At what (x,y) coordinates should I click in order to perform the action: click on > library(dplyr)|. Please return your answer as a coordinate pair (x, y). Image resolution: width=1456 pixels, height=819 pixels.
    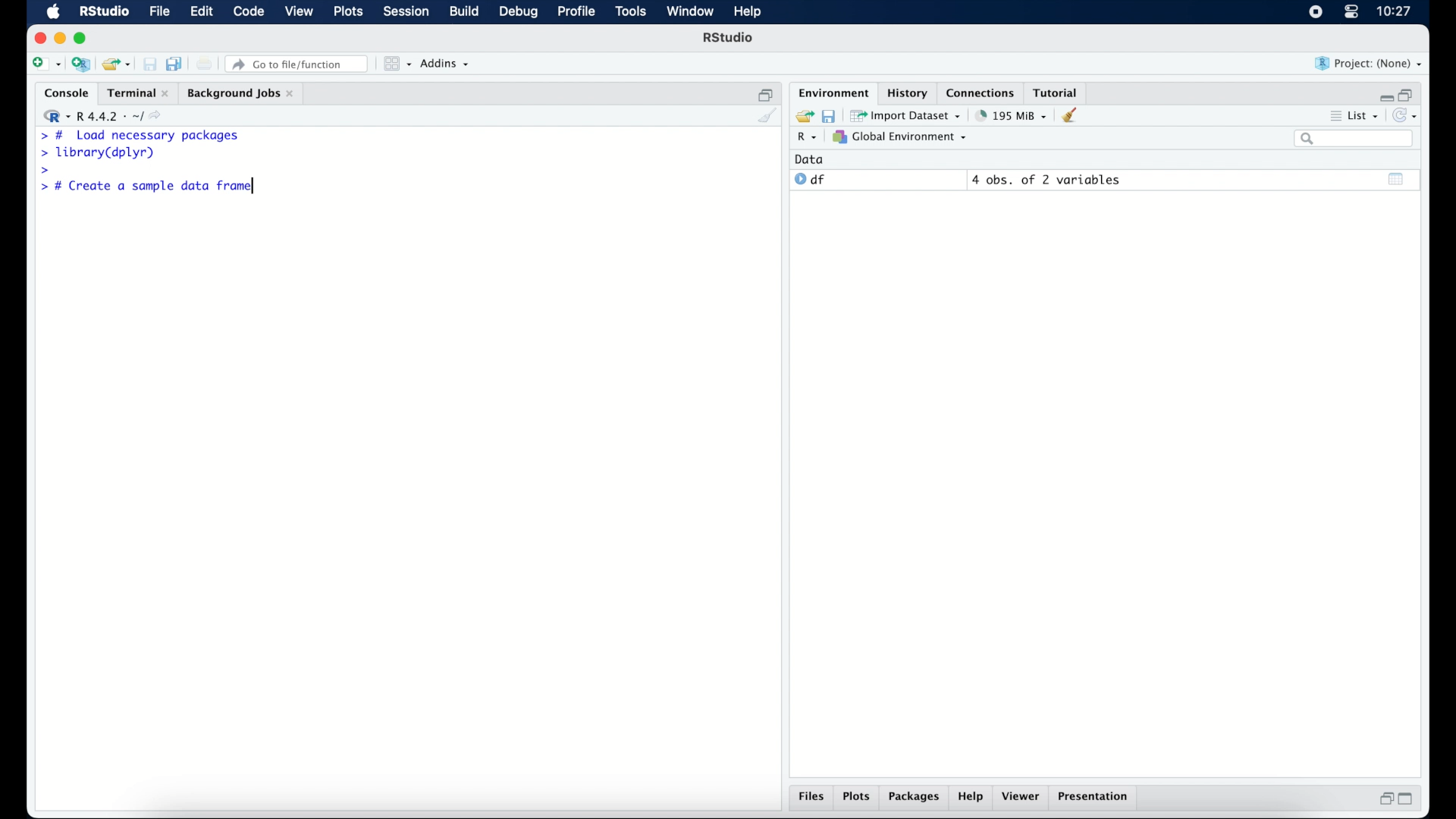
    Looking at the image, I should click on (101, 153).